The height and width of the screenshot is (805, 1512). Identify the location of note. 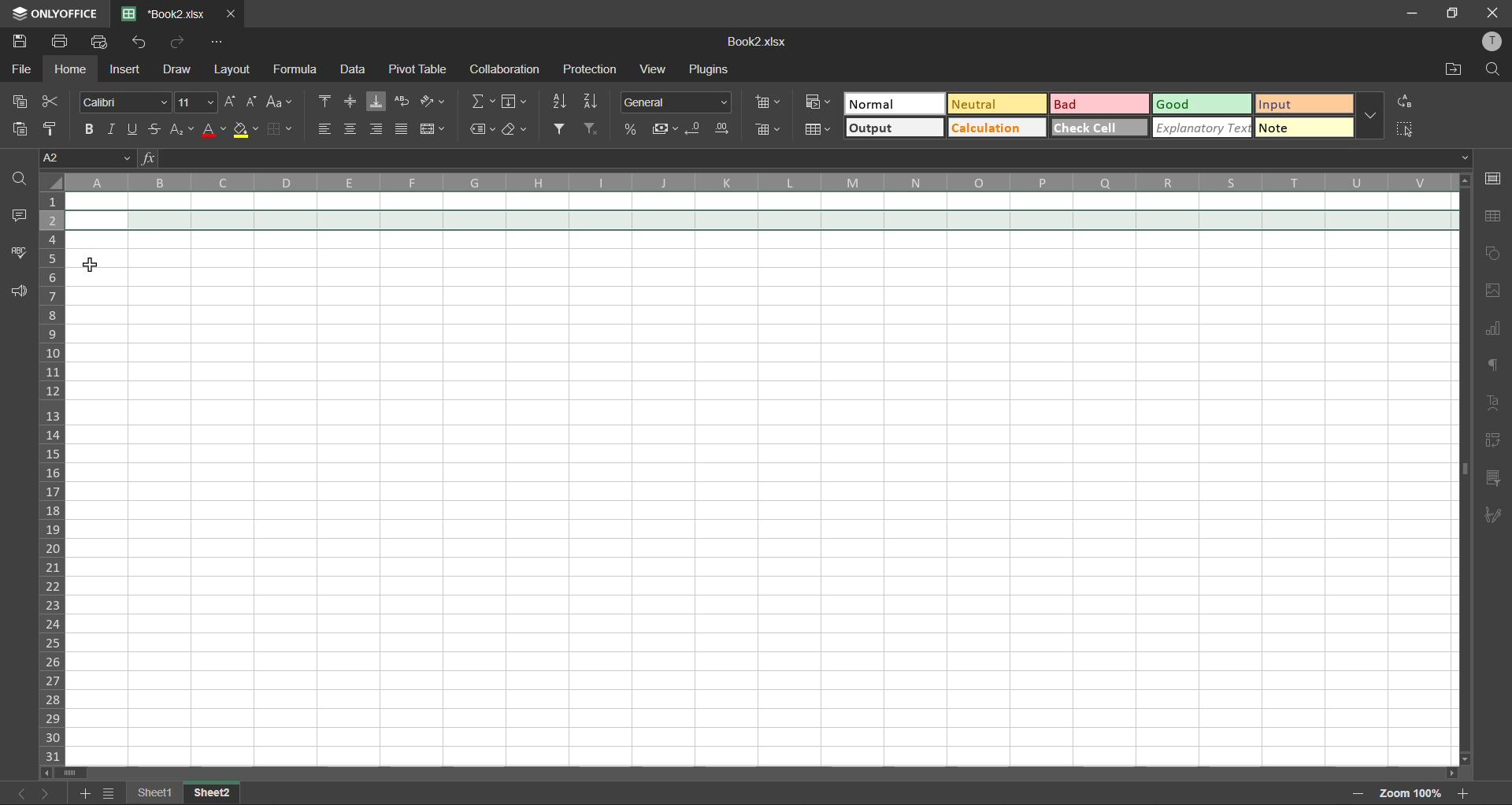
(1303, 127).